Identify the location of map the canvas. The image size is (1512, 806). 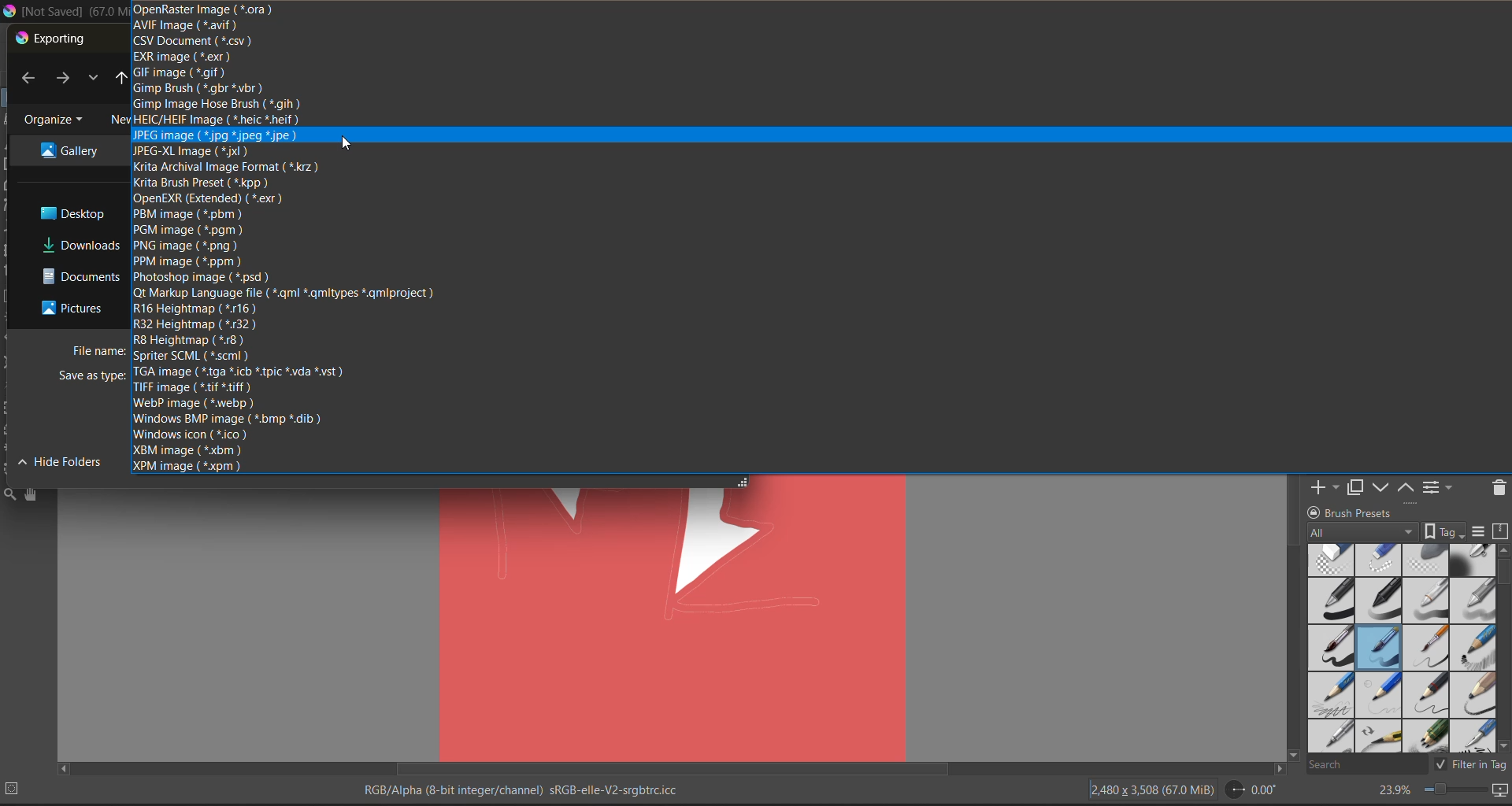
(1499, 792).